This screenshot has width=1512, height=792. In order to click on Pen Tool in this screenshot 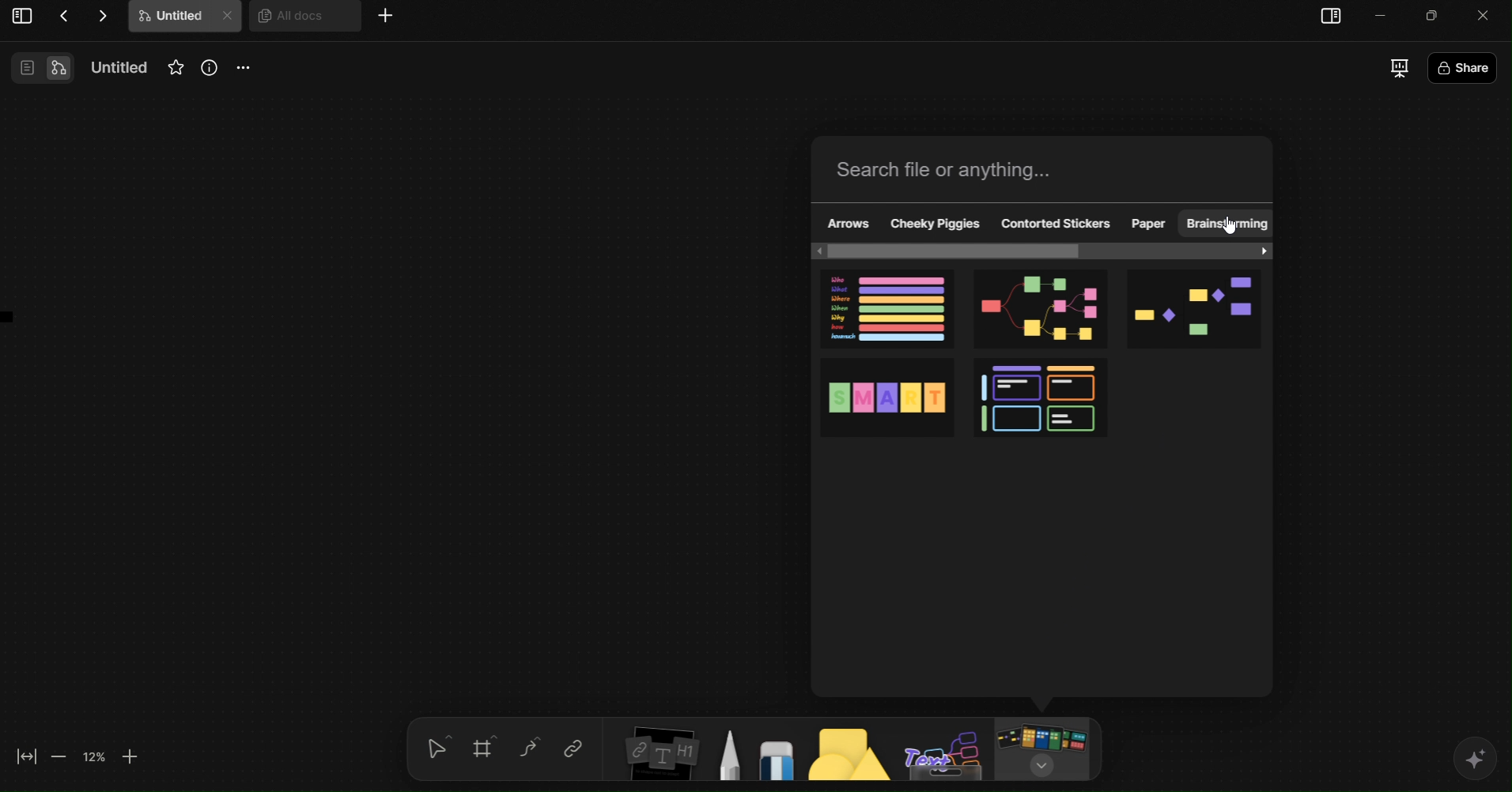, I will do `click(729, 753)`.